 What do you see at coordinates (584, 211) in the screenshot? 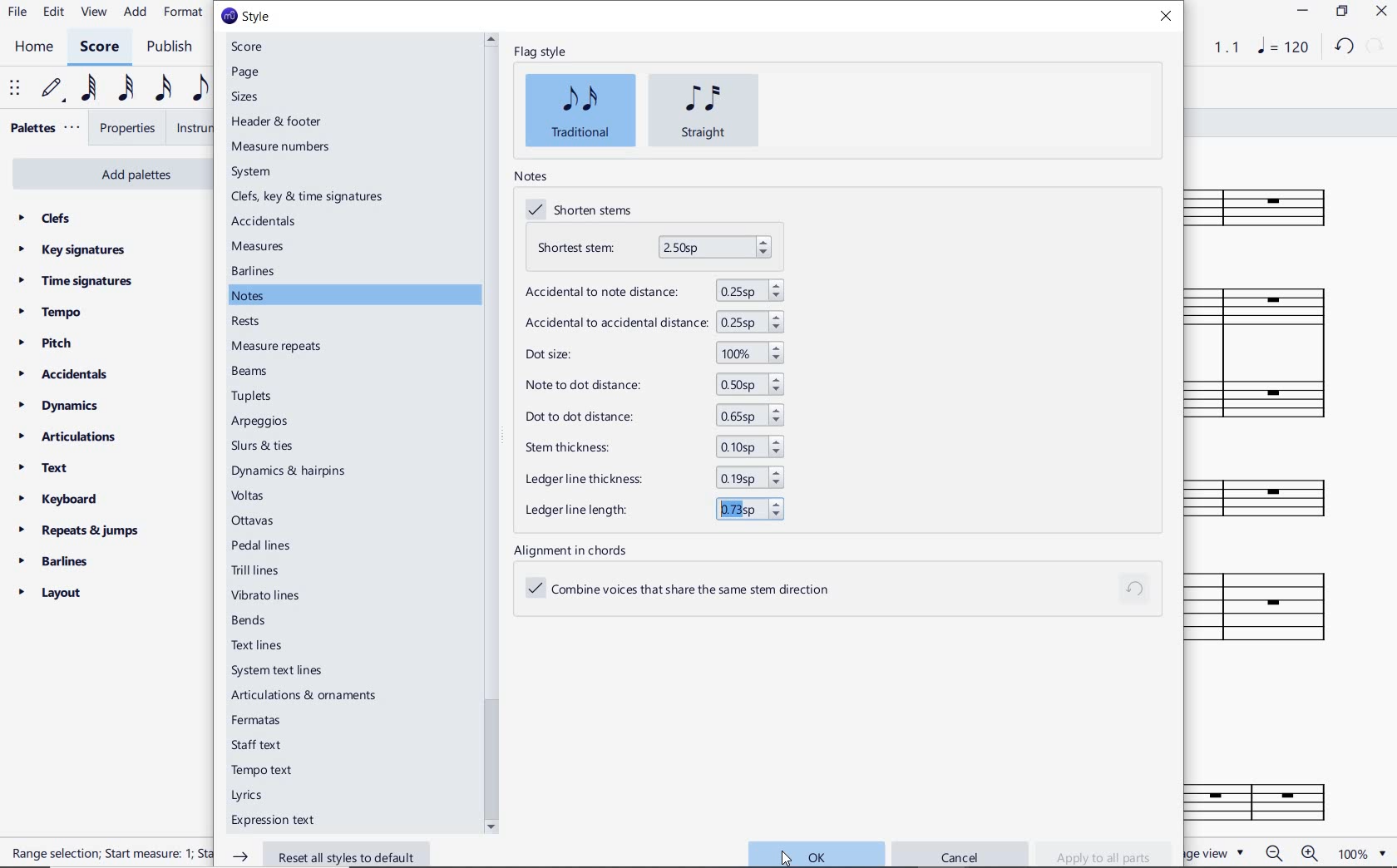
I see `shorten stems` at bounding box center [584, 211].